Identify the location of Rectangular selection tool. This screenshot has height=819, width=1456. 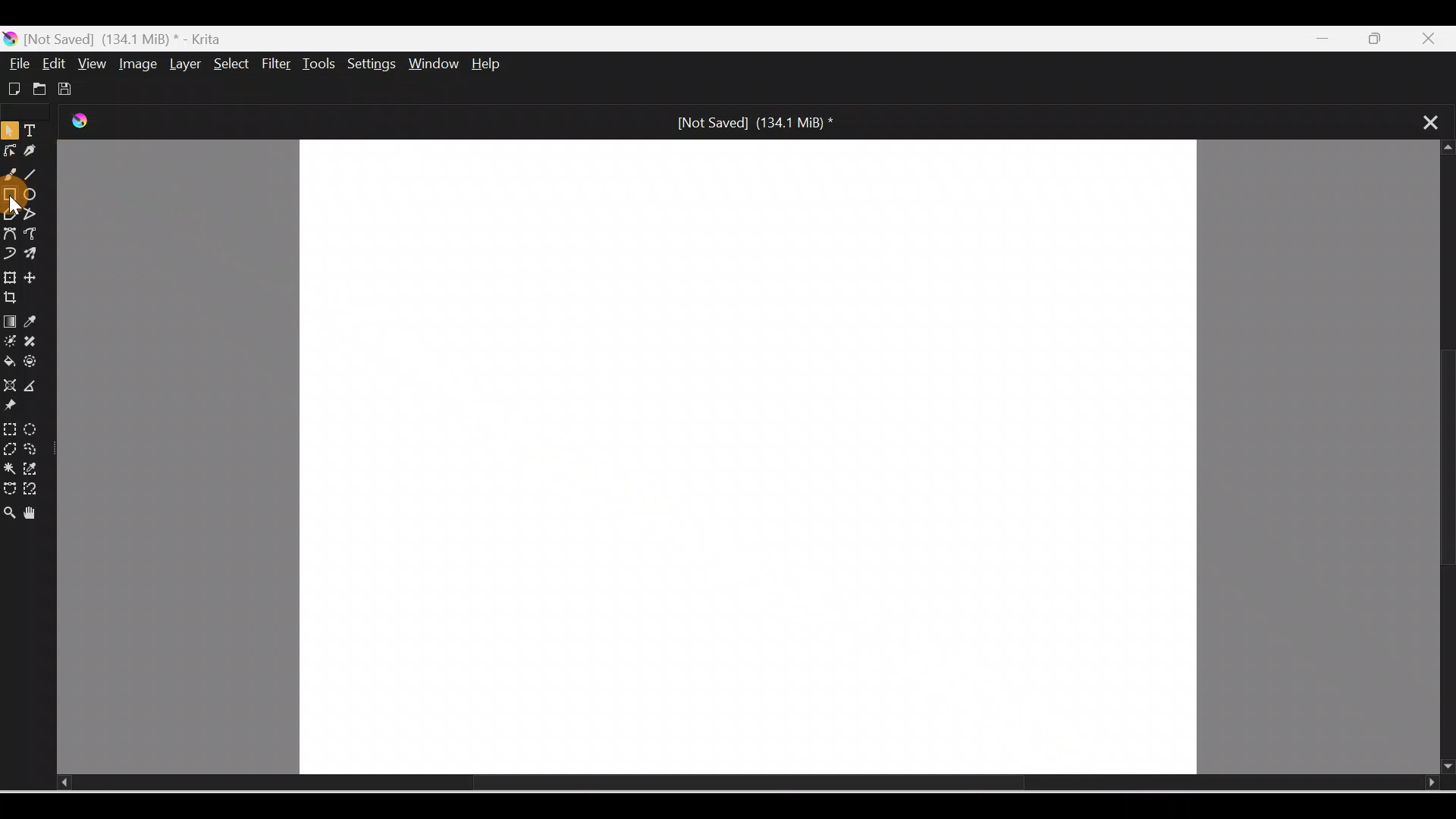
(9, 426).